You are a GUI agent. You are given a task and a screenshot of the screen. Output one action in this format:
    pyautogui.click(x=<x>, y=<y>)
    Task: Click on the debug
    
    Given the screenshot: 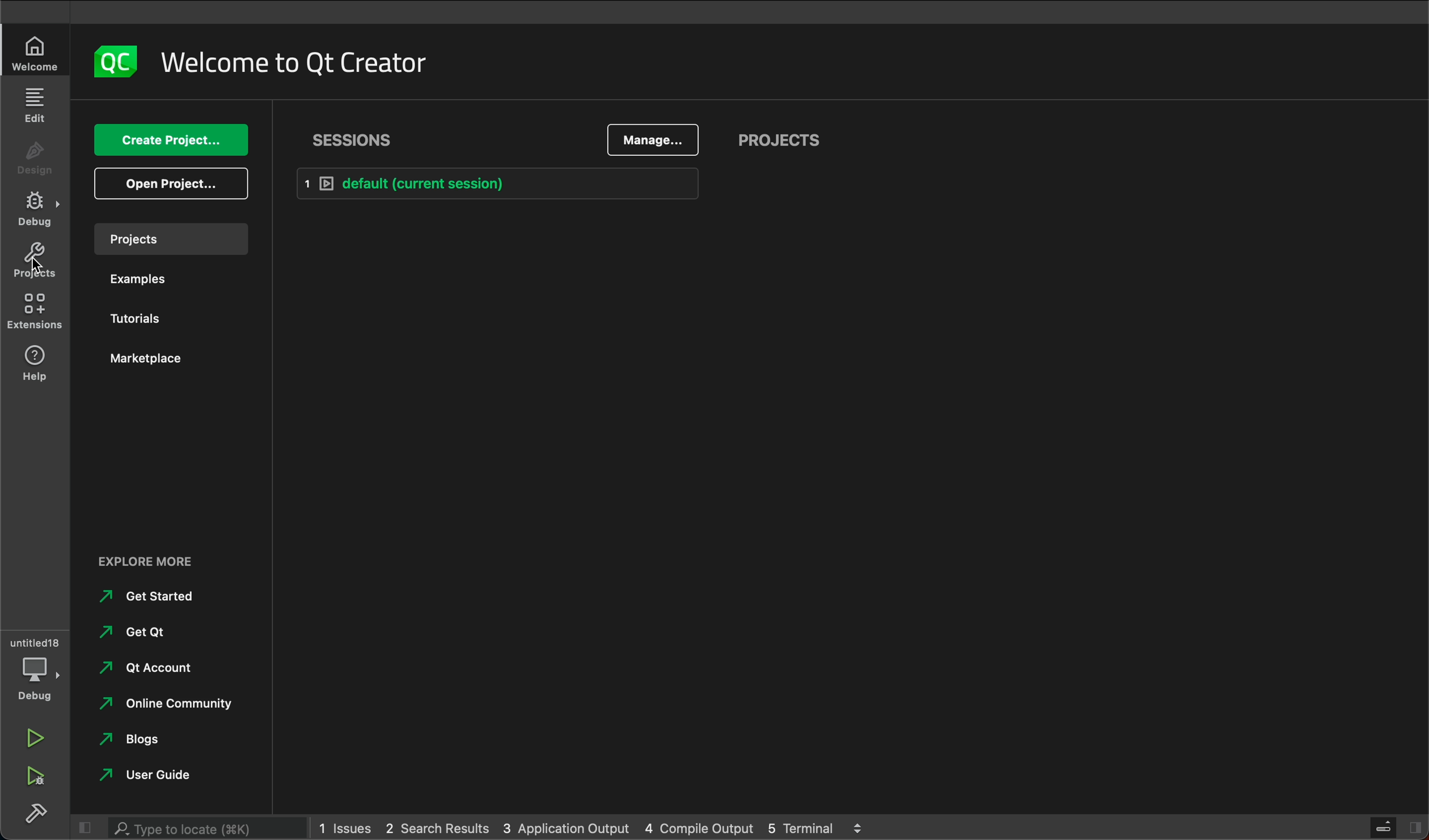 What is the action you would take?
    pyautogui.click(x=39, y=210)
    